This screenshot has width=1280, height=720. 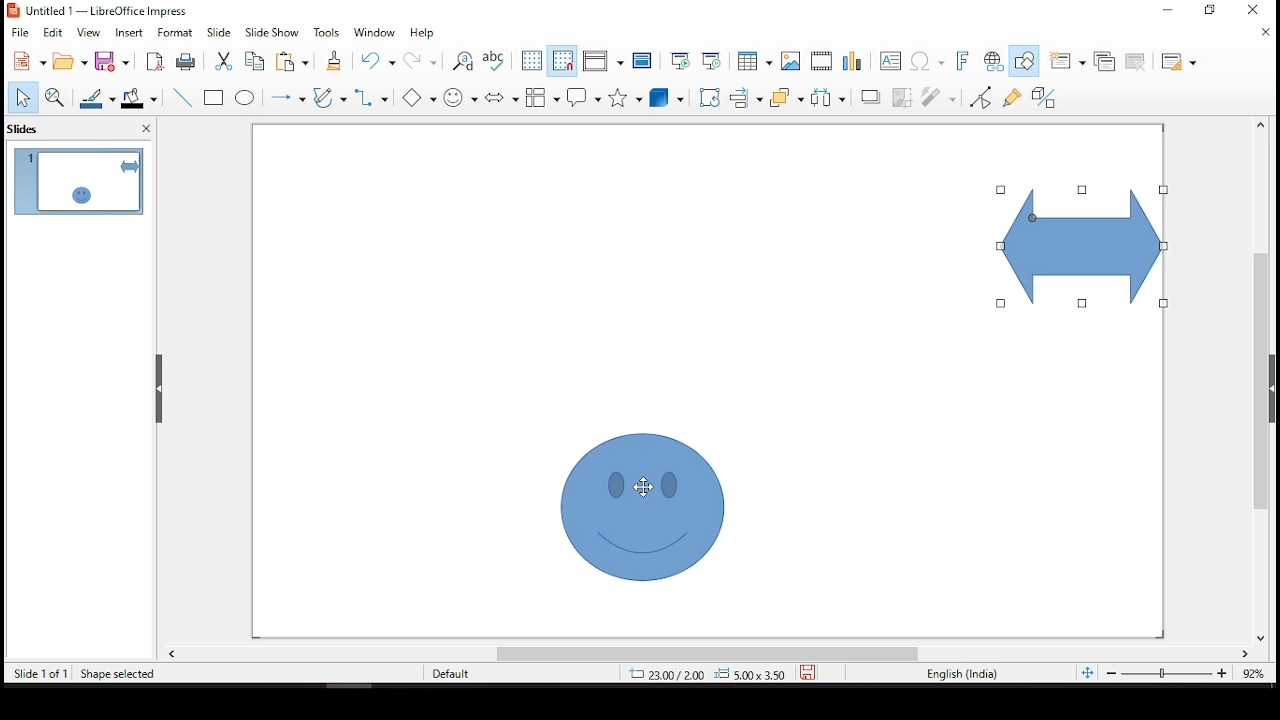 I want to click on view, so click(x=91, y=34).